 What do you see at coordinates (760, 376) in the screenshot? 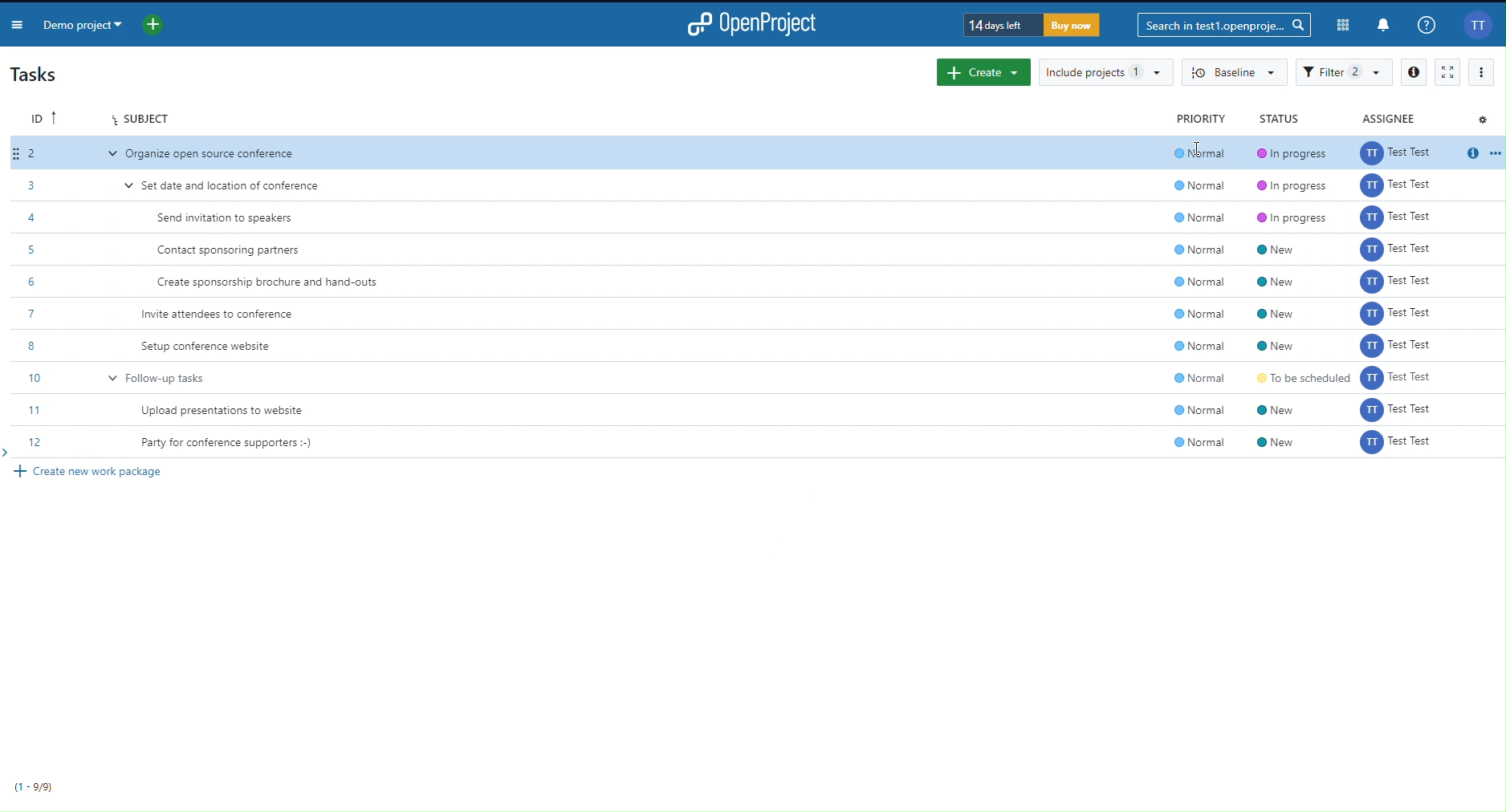
I see `10 wv Follow-up tasks @Normal © To be scheduled Test Test` at bounding box center [760, 376].